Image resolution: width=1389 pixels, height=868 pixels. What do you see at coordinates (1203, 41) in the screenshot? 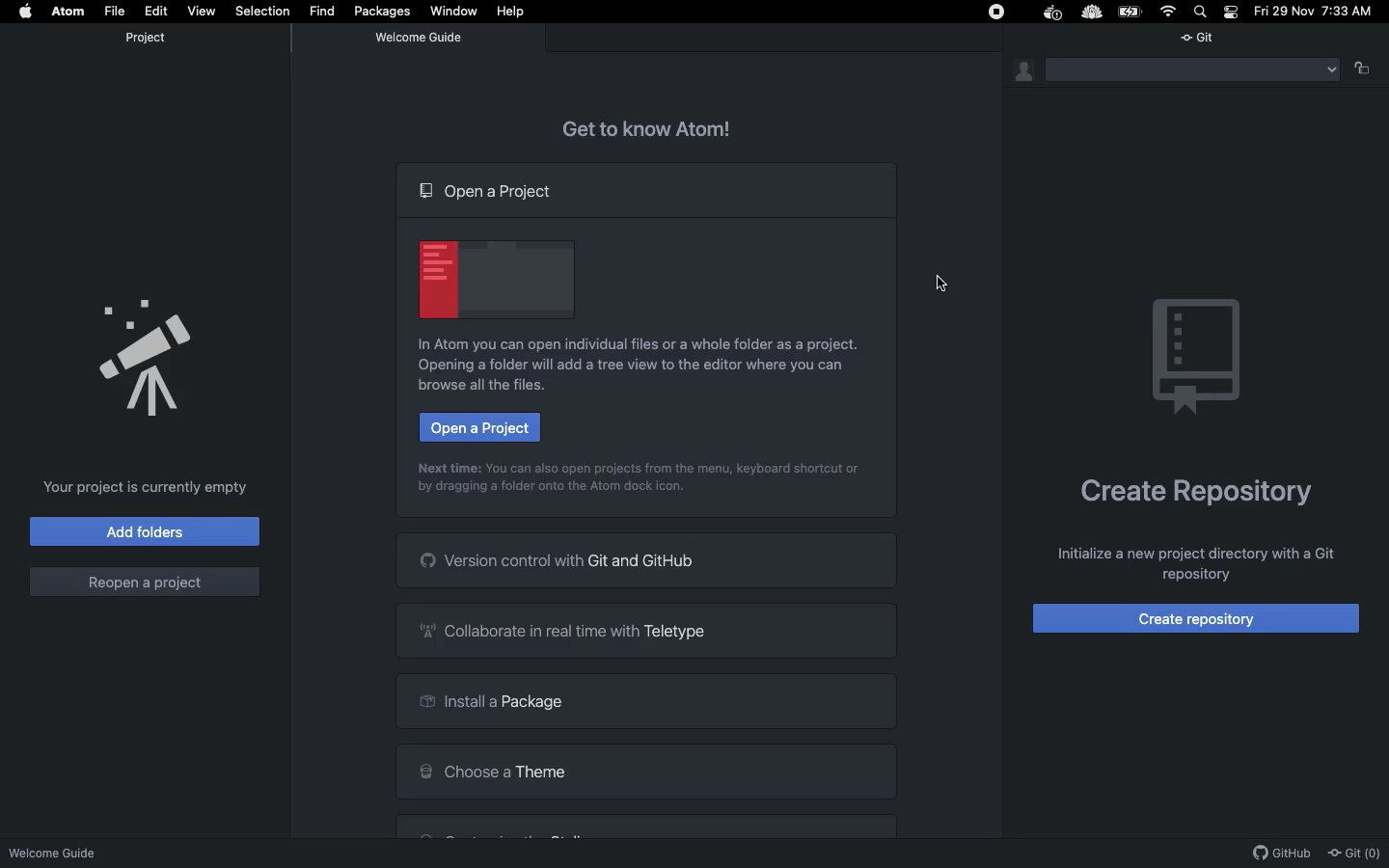
I see `Git` at bounding box center [1203, 41].